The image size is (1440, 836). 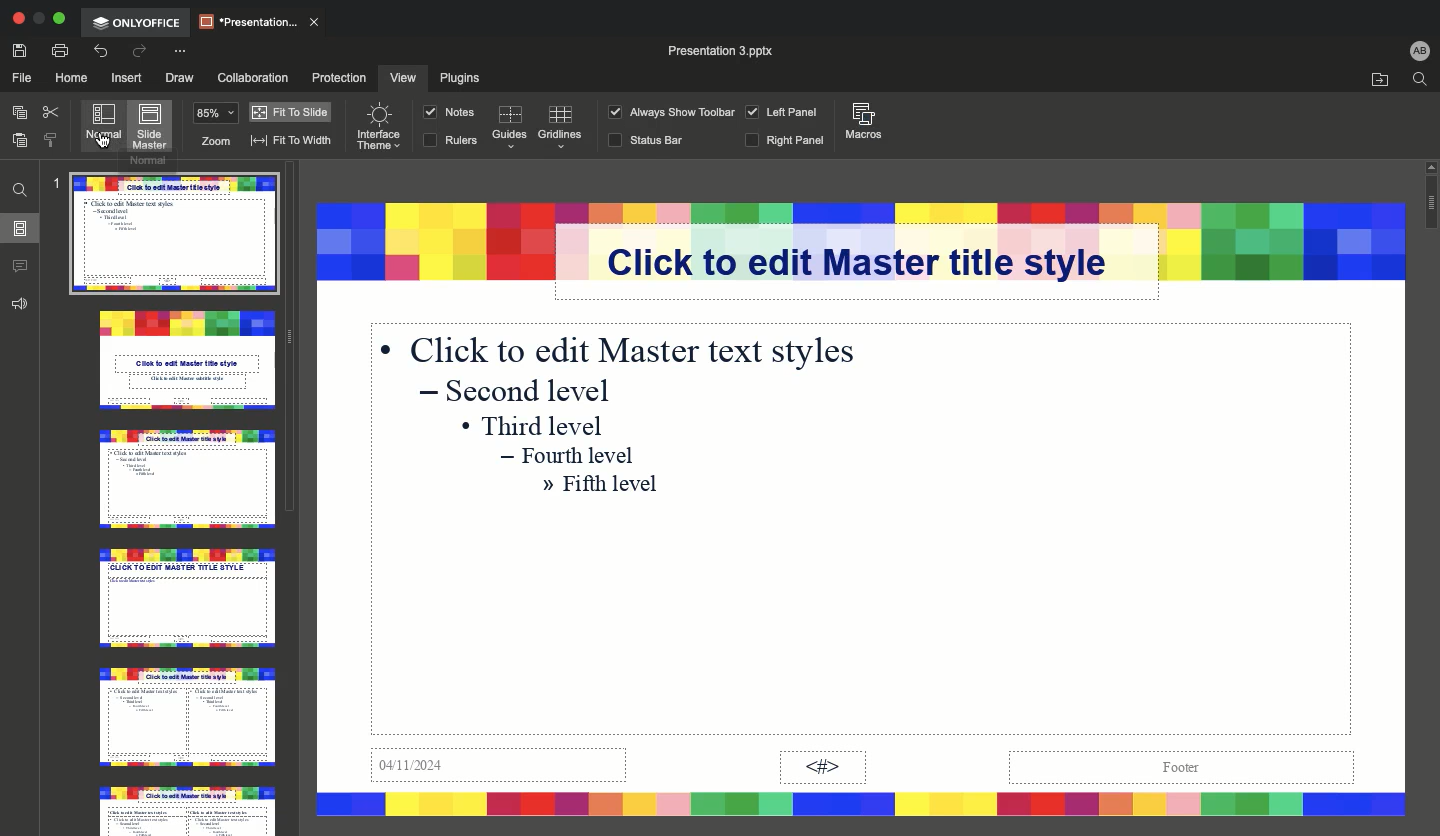 I want to click on Click to edit Master title style, so click(x=877, y=261).